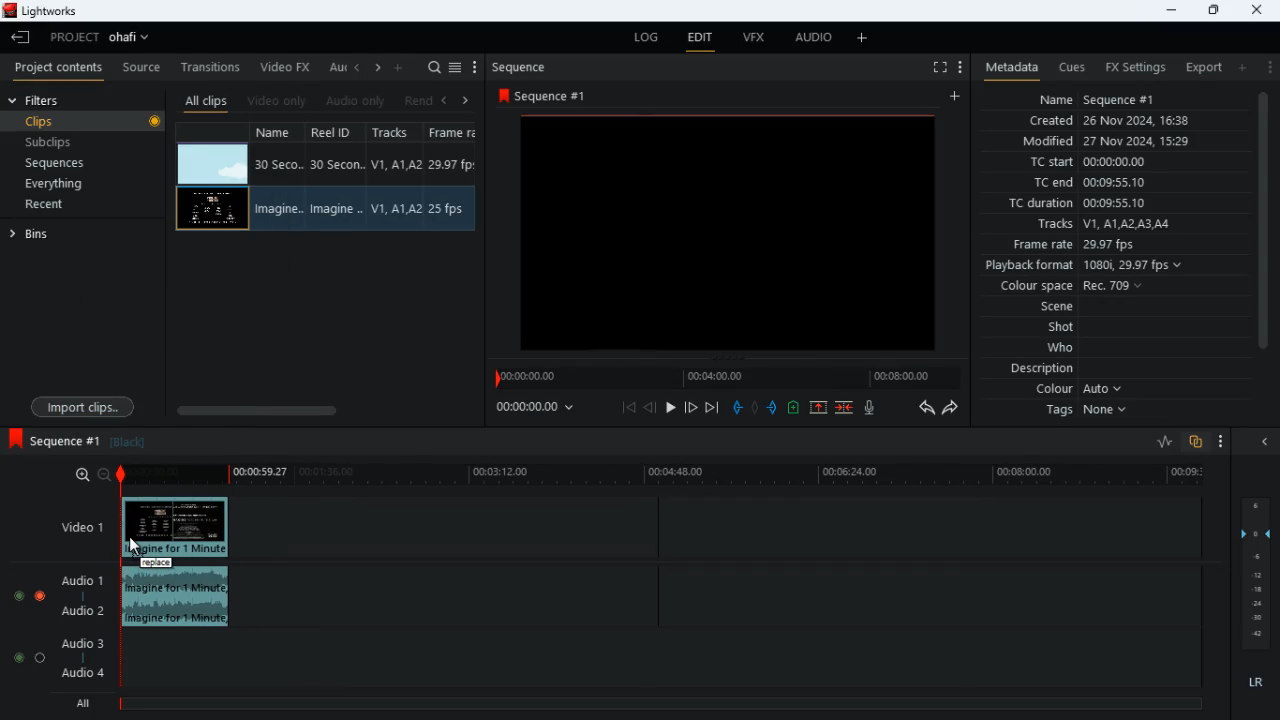  What do you see at coordinates (1168, 10) in the screenshot?
I see `minimize` at bounding box center [1168, 10].